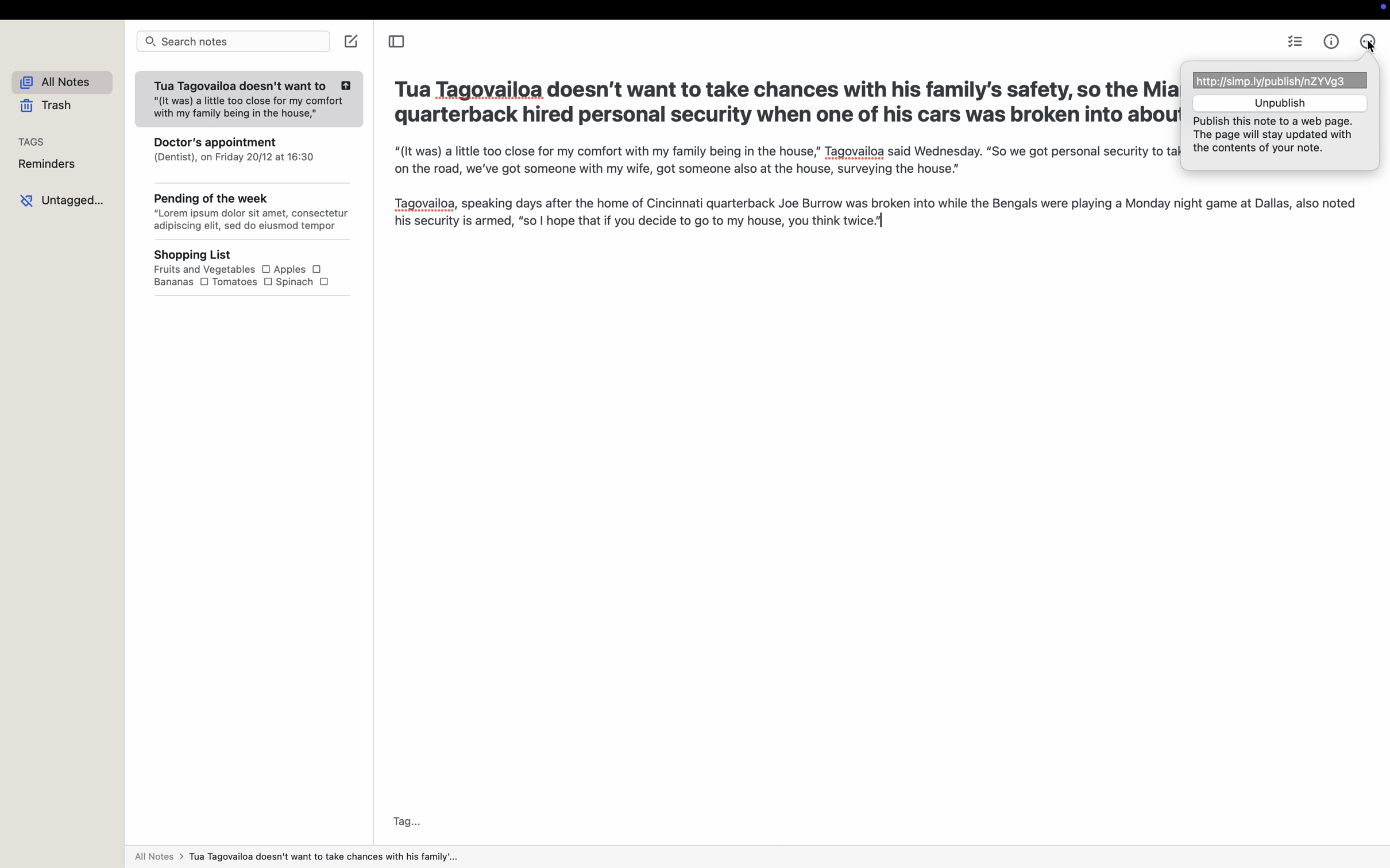 This screenshot has height=868, width=1390. I want to click on "(It was) a little too close for my comfort with my family being in the house,” Tagovailoa said Wednesday. “So we got personal security to take care of all of that. When we're
on the road, we've got someone with my wife, got someone also at the house, surveying the house.”, so click(782, 160).